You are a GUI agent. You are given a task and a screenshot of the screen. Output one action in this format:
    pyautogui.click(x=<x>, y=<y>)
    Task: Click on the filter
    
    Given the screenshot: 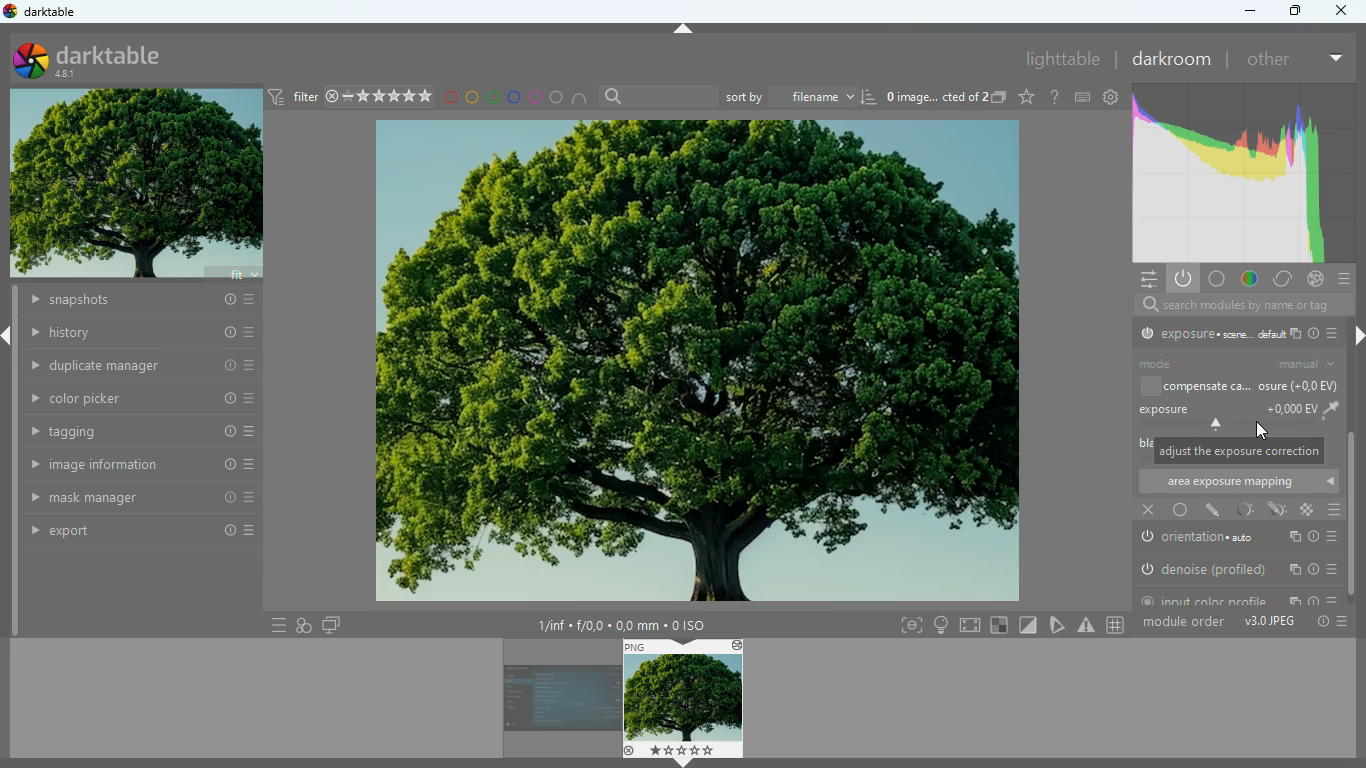 What is the action you would take?
    pyautogui.click(x=351, y=97)
    